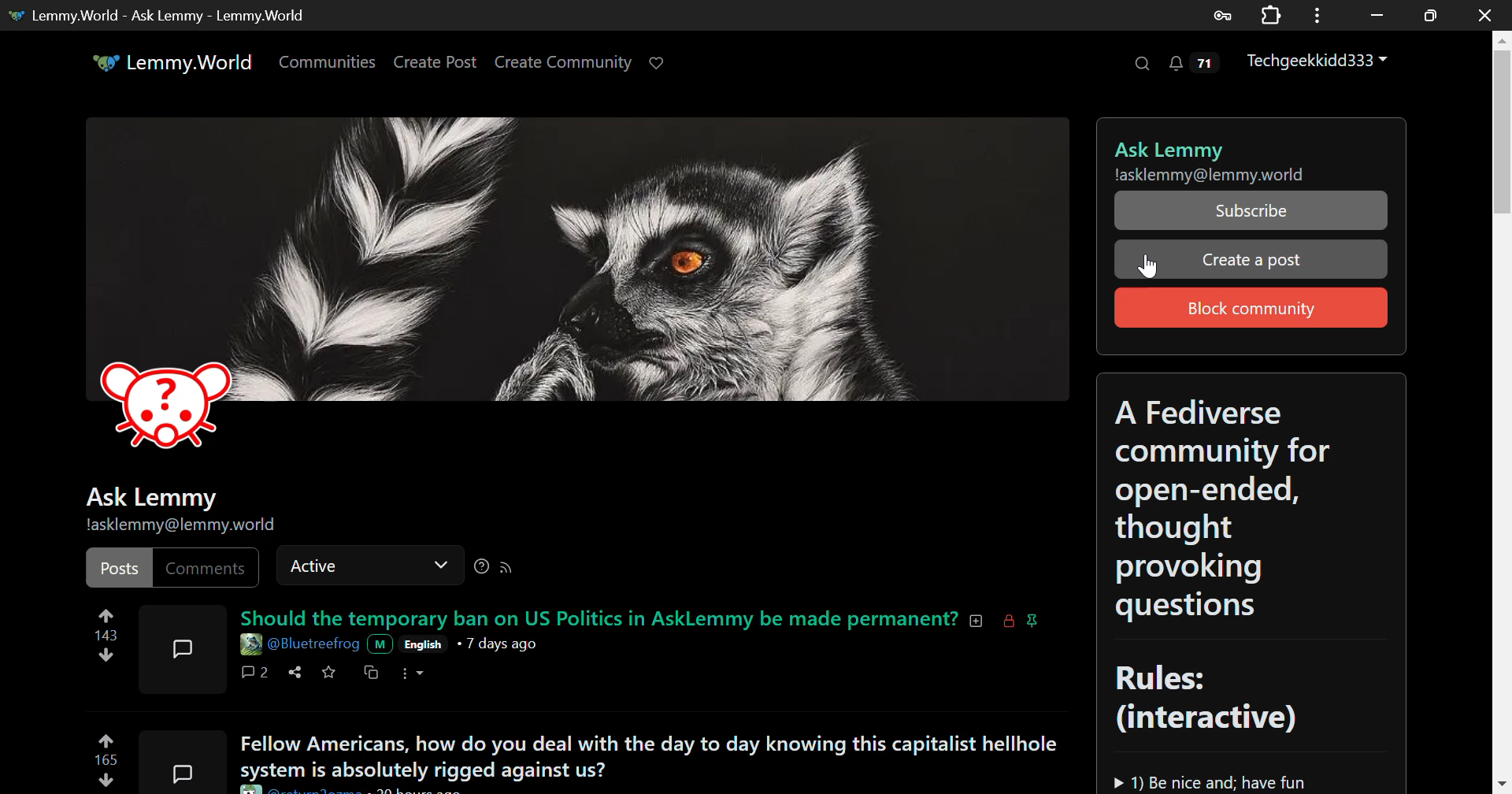  What do you see at coordinates (1317, 15) in the screenshot?
I see `Menu` at bounding box center [1317, 15].